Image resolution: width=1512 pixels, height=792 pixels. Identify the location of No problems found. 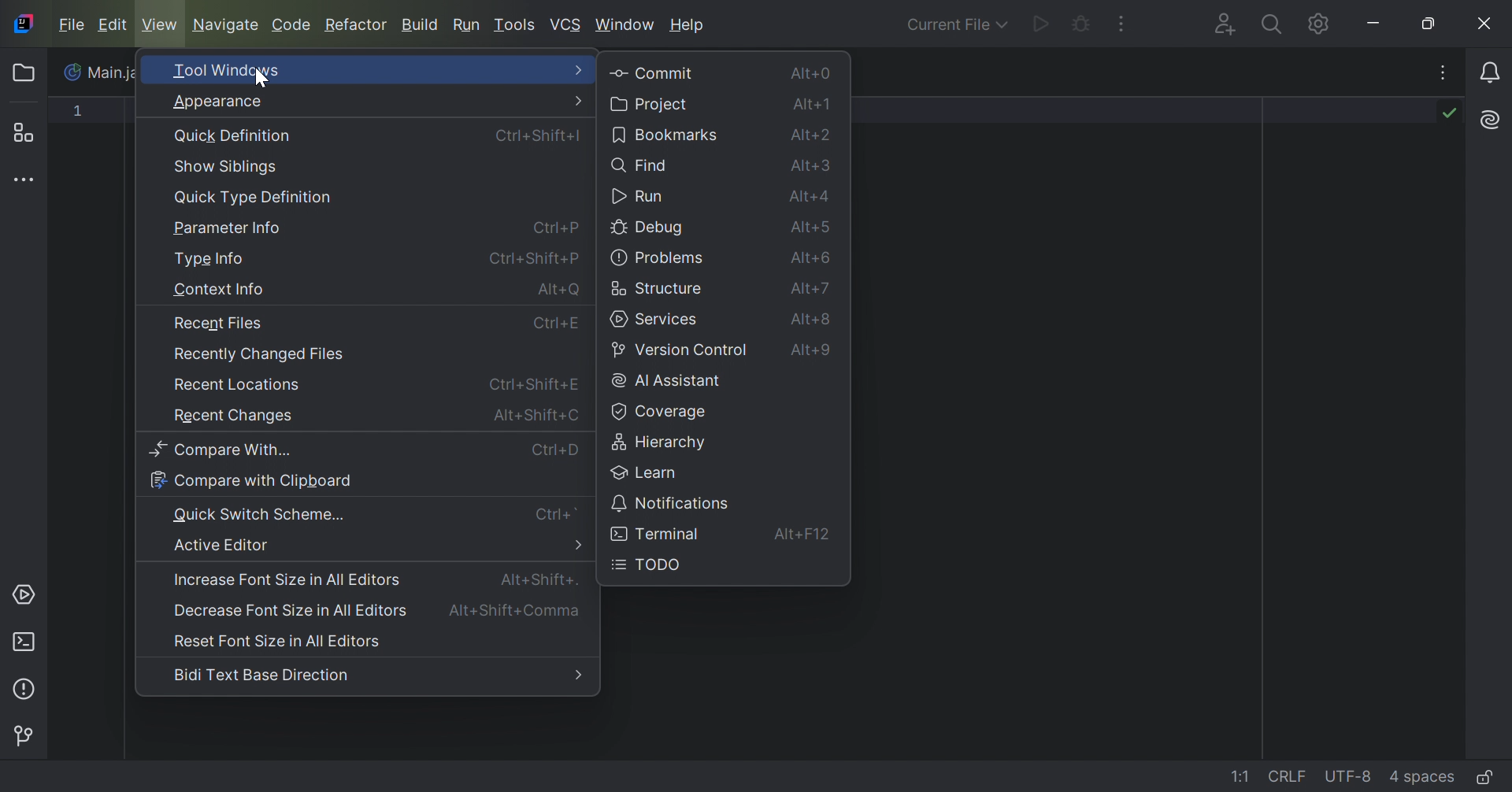
(1447, 113).